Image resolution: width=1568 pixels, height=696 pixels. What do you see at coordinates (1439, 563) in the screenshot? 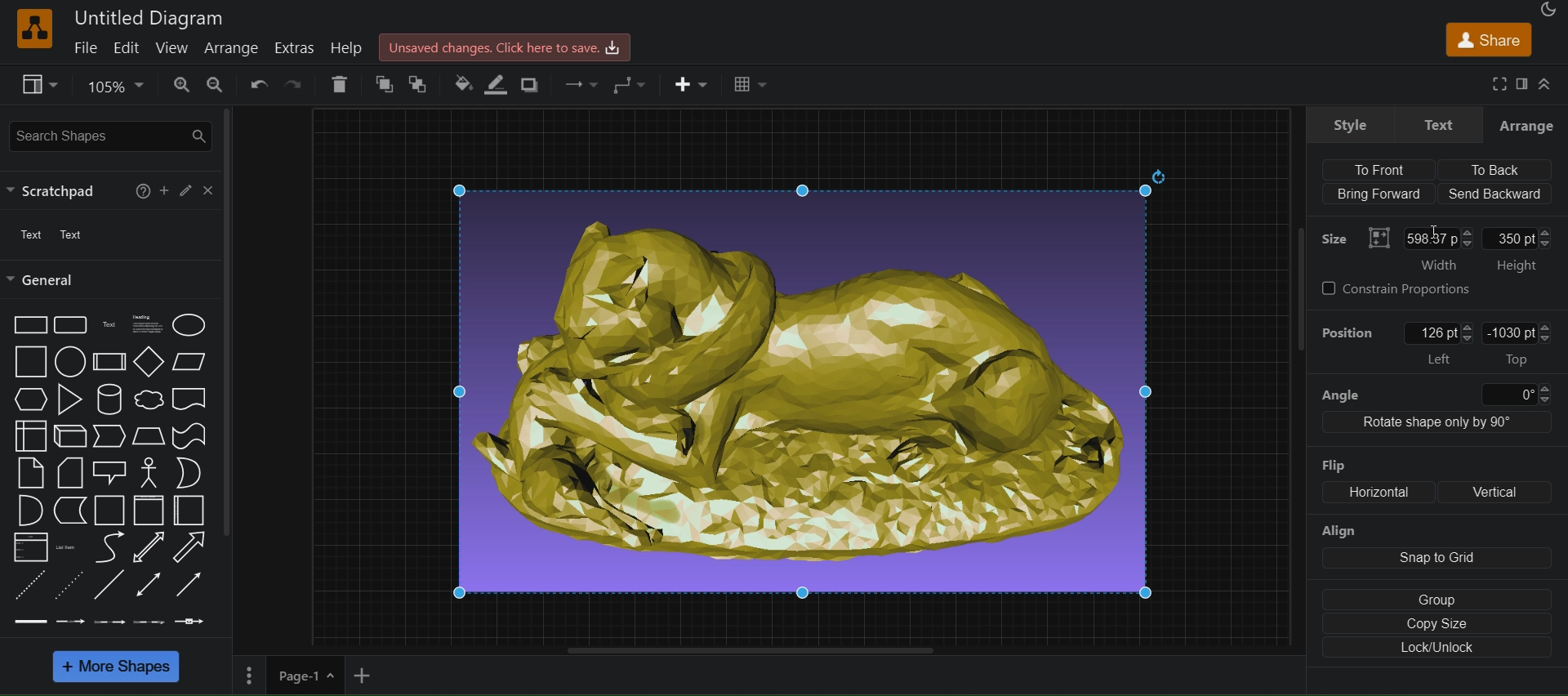
I see `align: snap to grid` at bounding box center [1439, 563].